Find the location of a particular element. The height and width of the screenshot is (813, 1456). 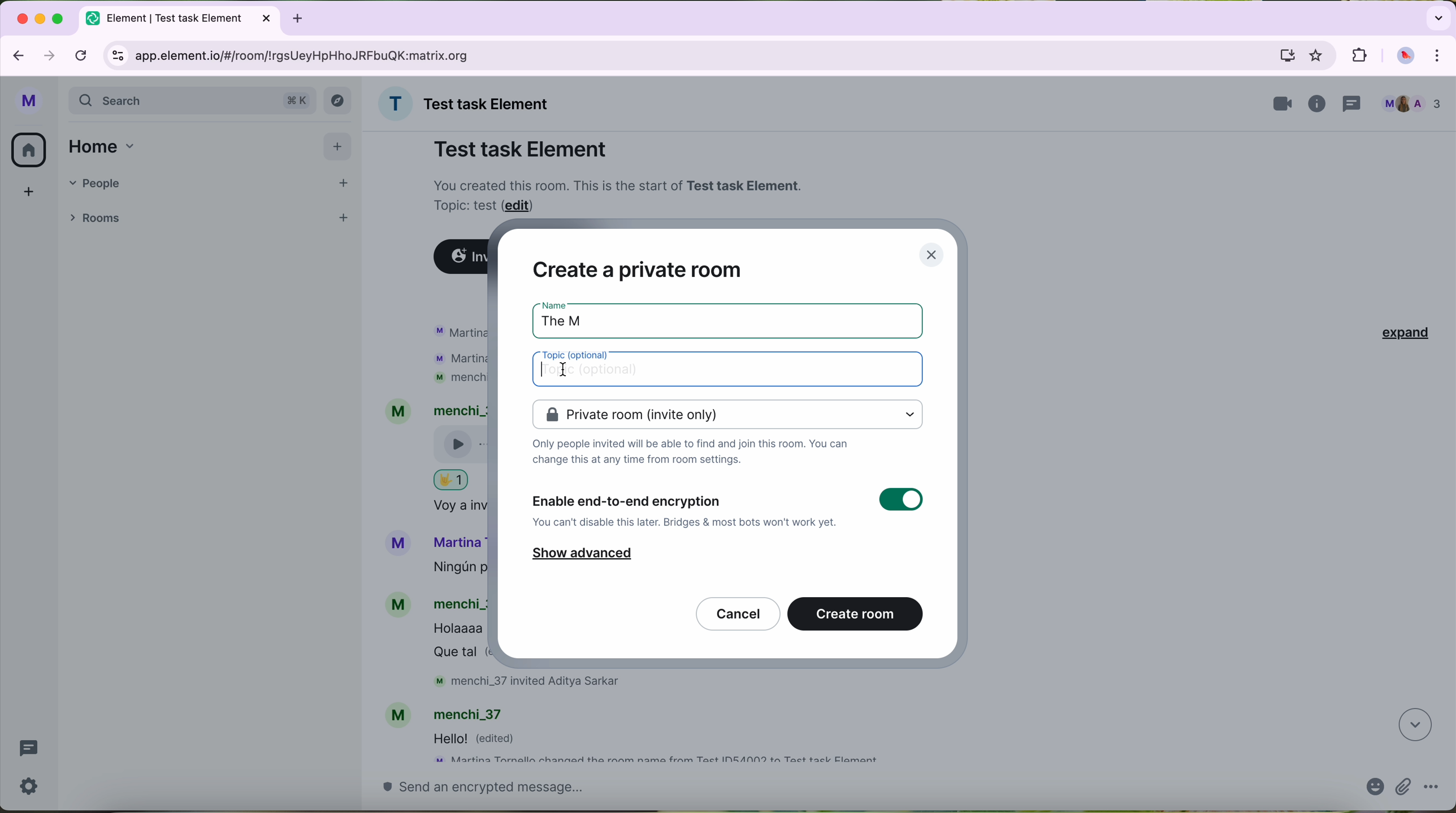

cursor is located at coordinates (561, 371).